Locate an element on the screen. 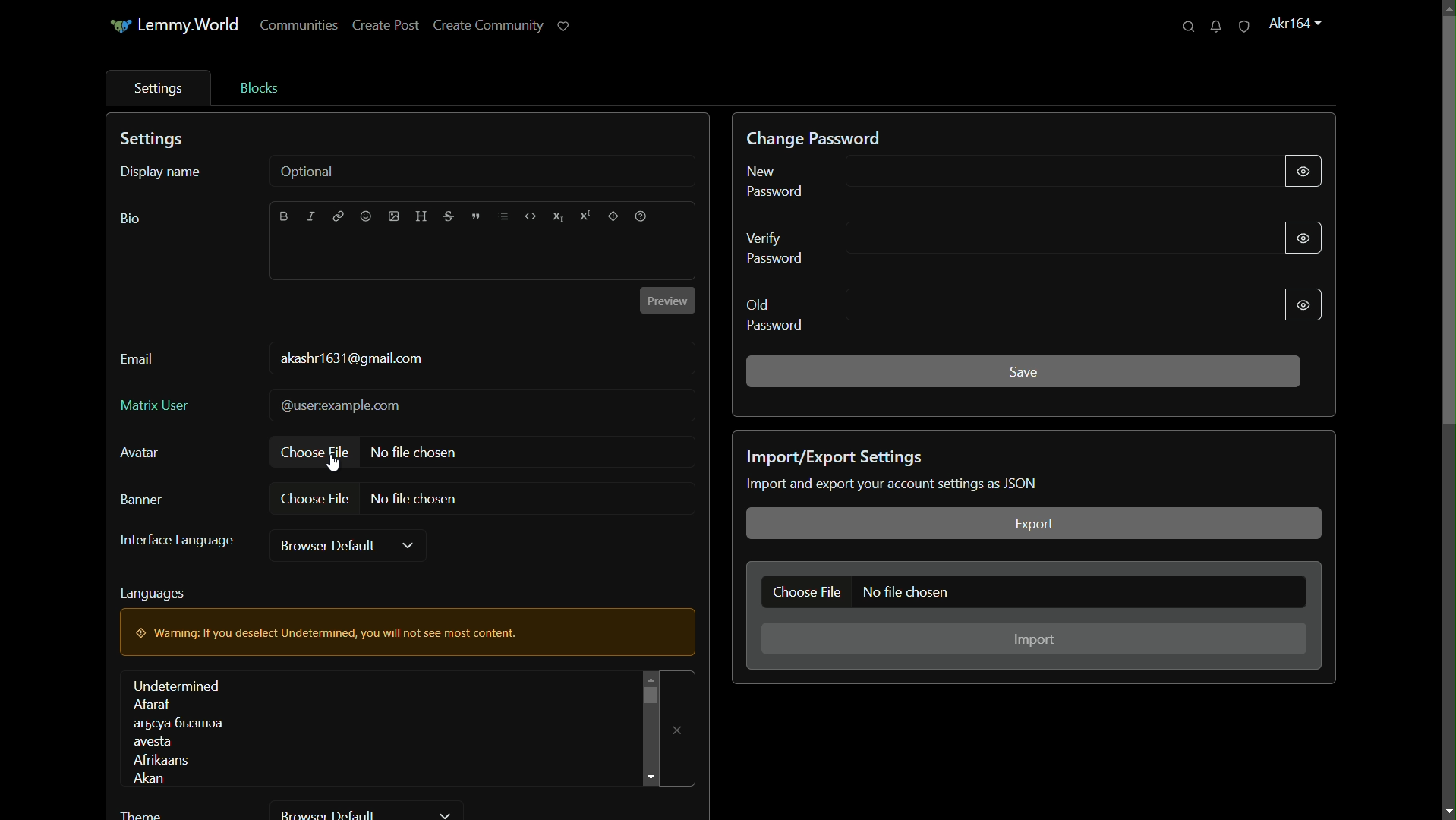 The height and width of the screenshot is (820, 1456). display name is located at coordinates (159, 172).